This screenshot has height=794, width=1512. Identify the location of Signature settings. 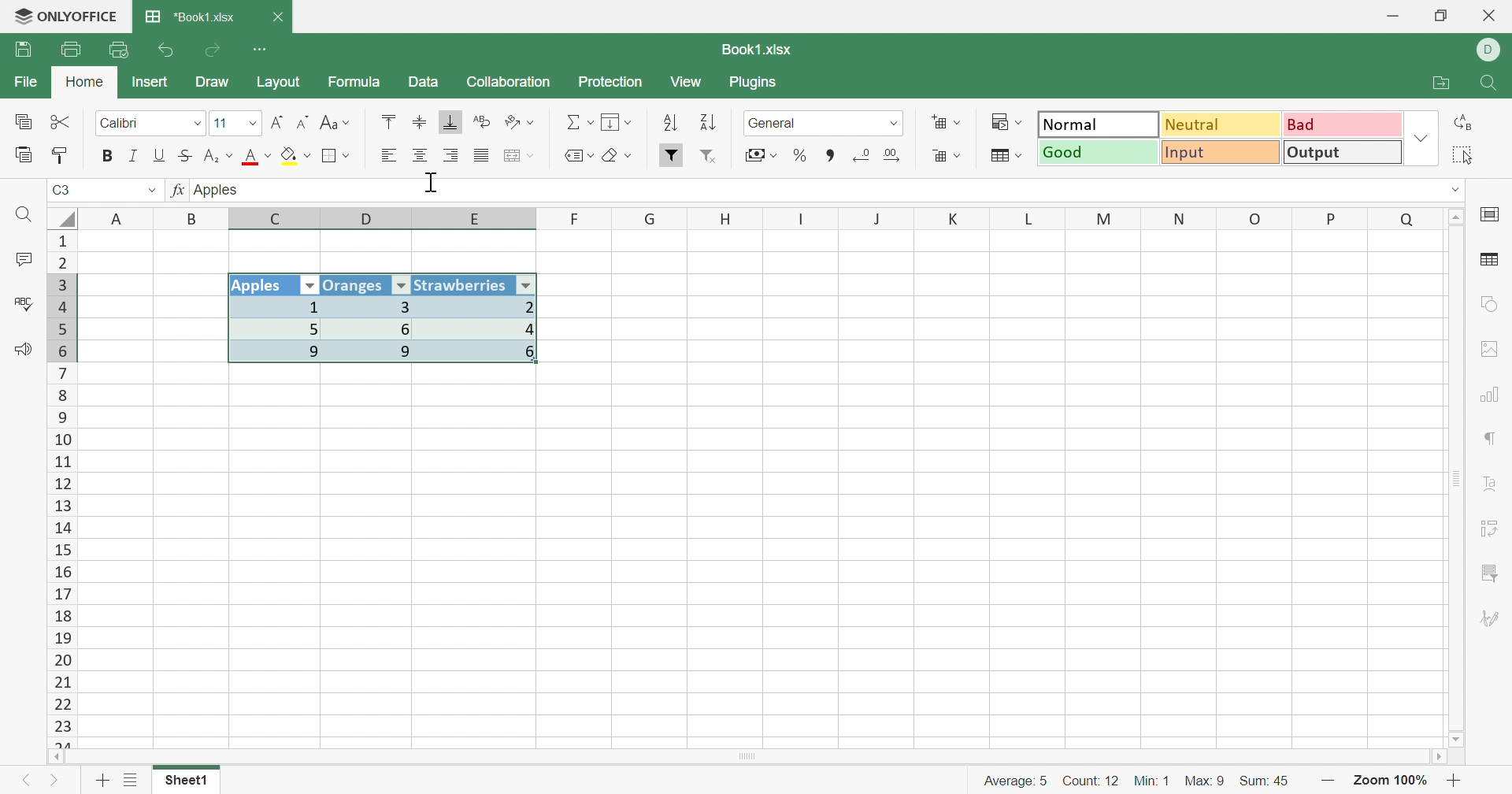
(1490, 619).